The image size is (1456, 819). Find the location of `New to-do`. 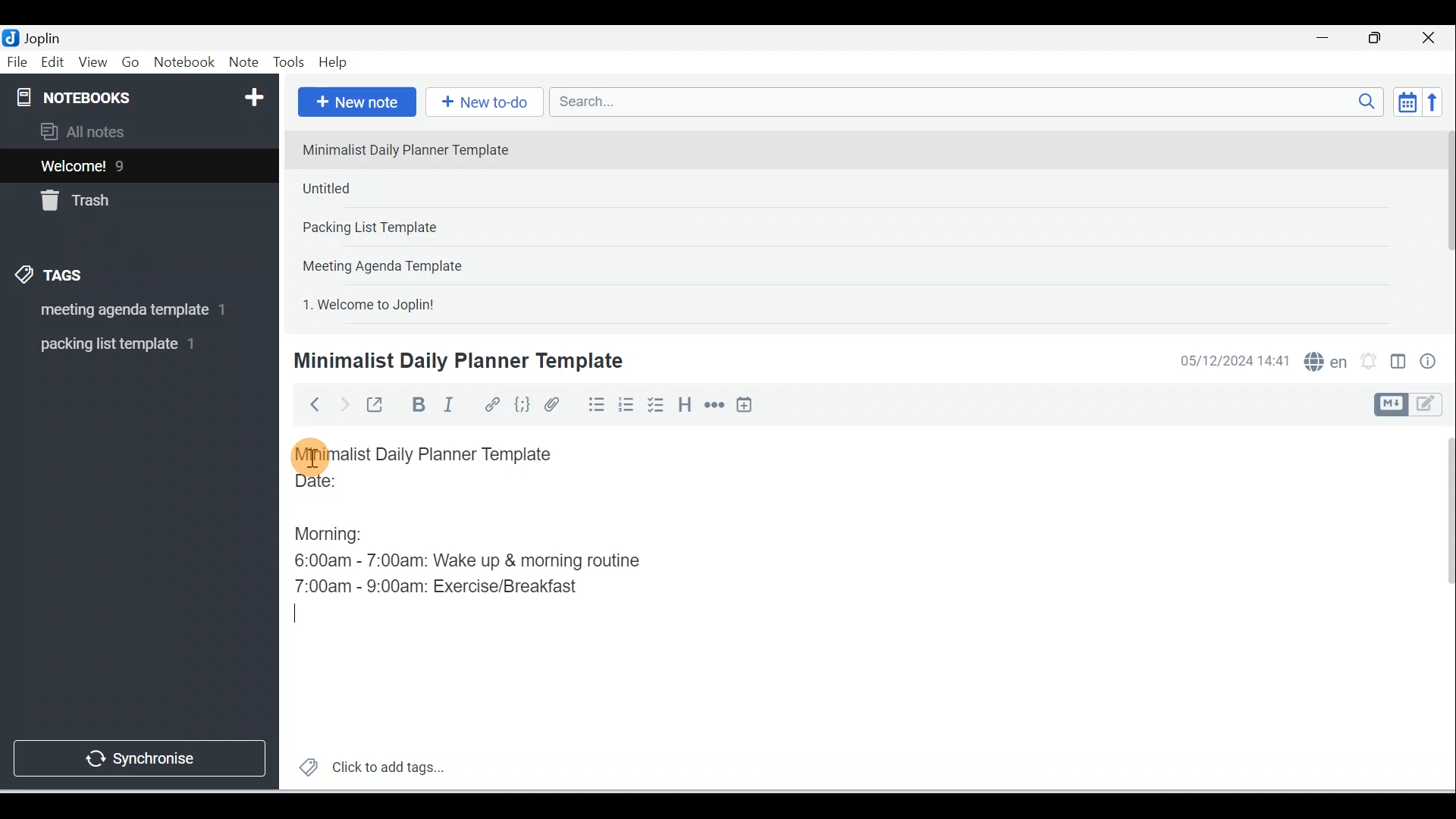

New to-do is located at coordinates (481, 103).